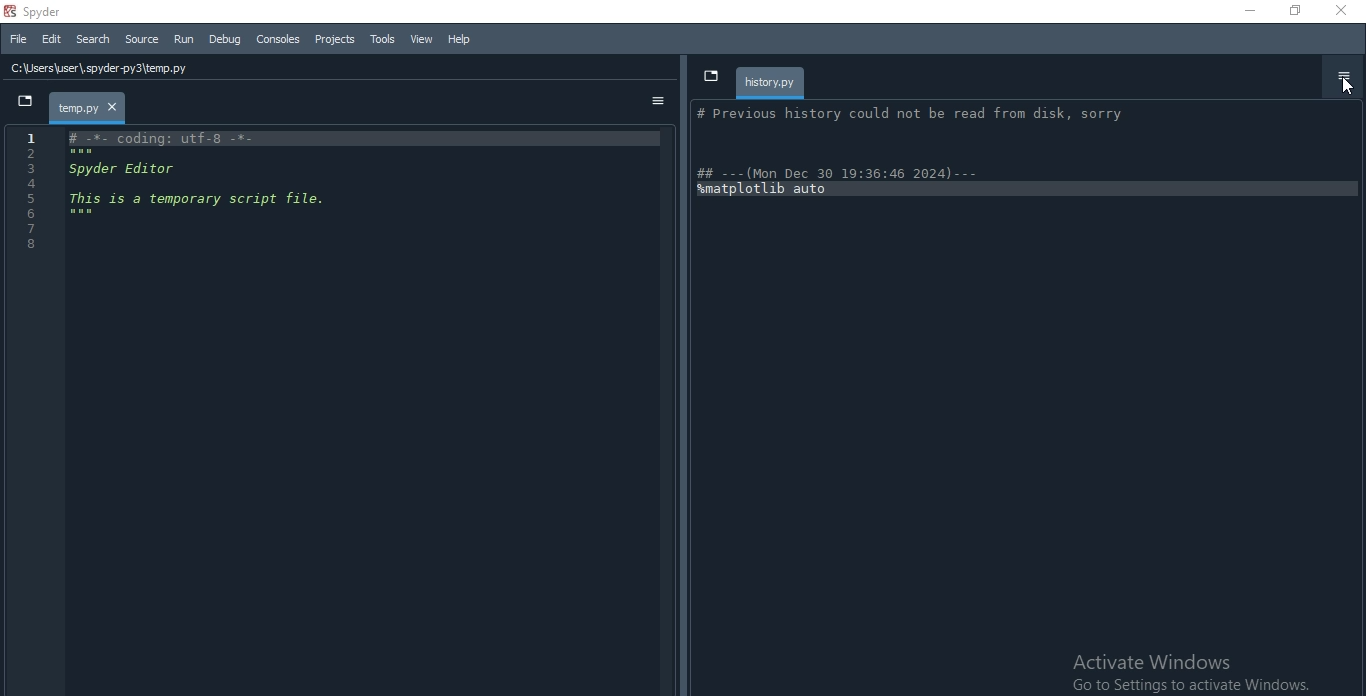 This screenshot has height=696, width=1366. I want to click on C:\Users\user\, spyder-py3\temp.py, so click(113, 68).